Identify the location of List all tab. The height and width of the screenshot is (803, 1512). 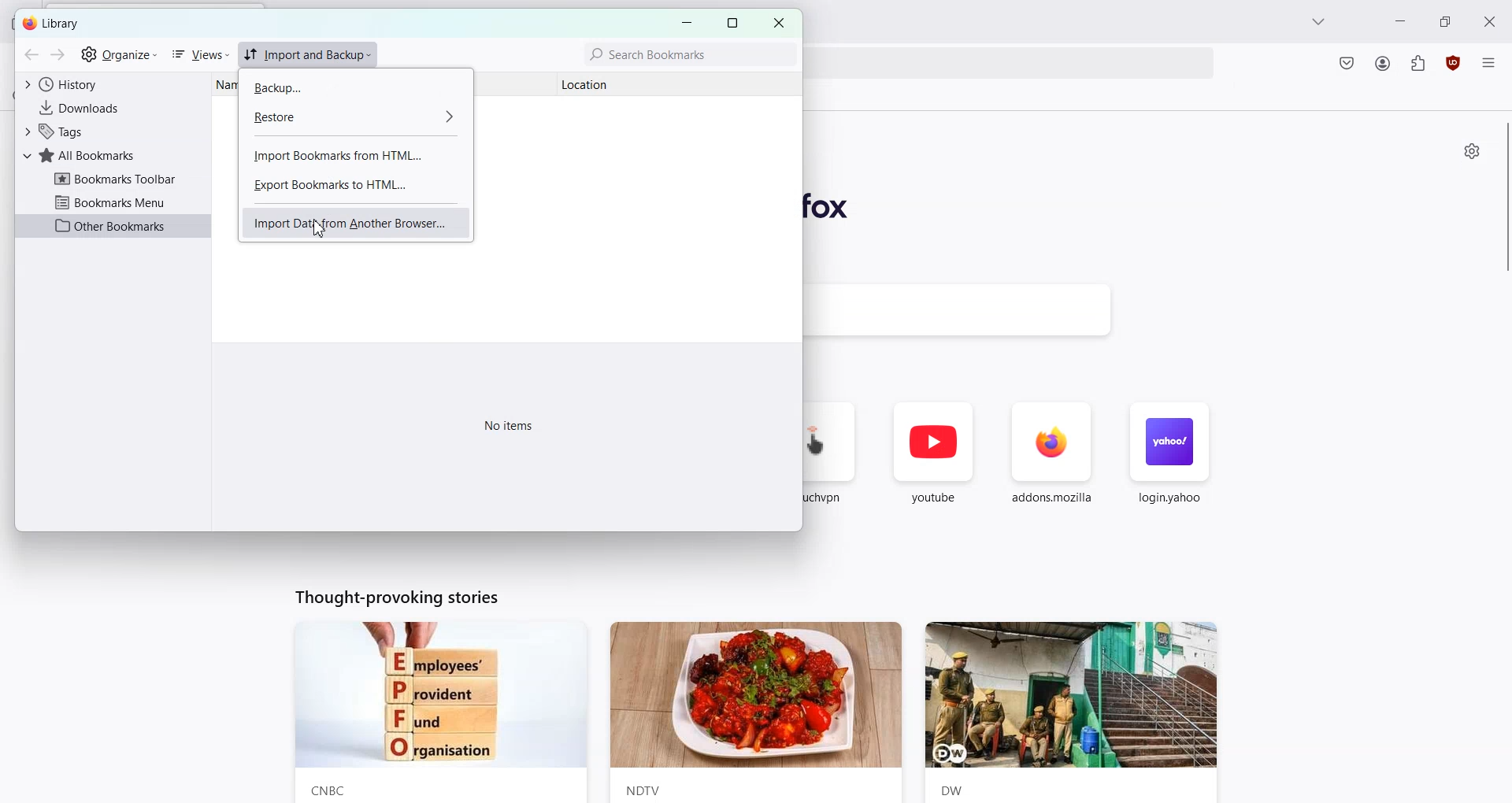
(1320, 21).